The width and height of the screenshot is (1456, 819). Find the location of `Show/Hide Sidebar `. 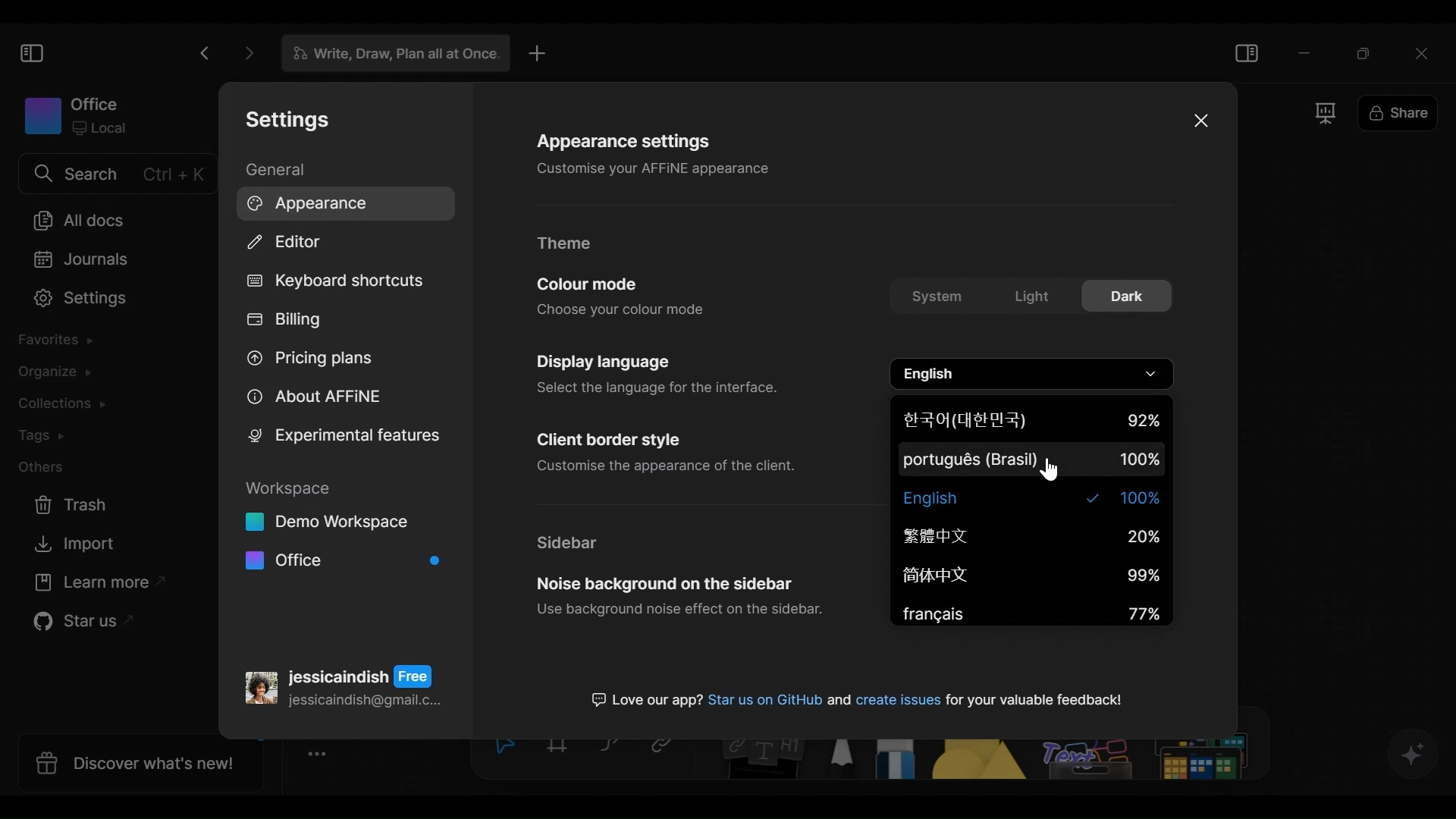

Show/Hide Sidebar  is located at coordinates (1248, 51).